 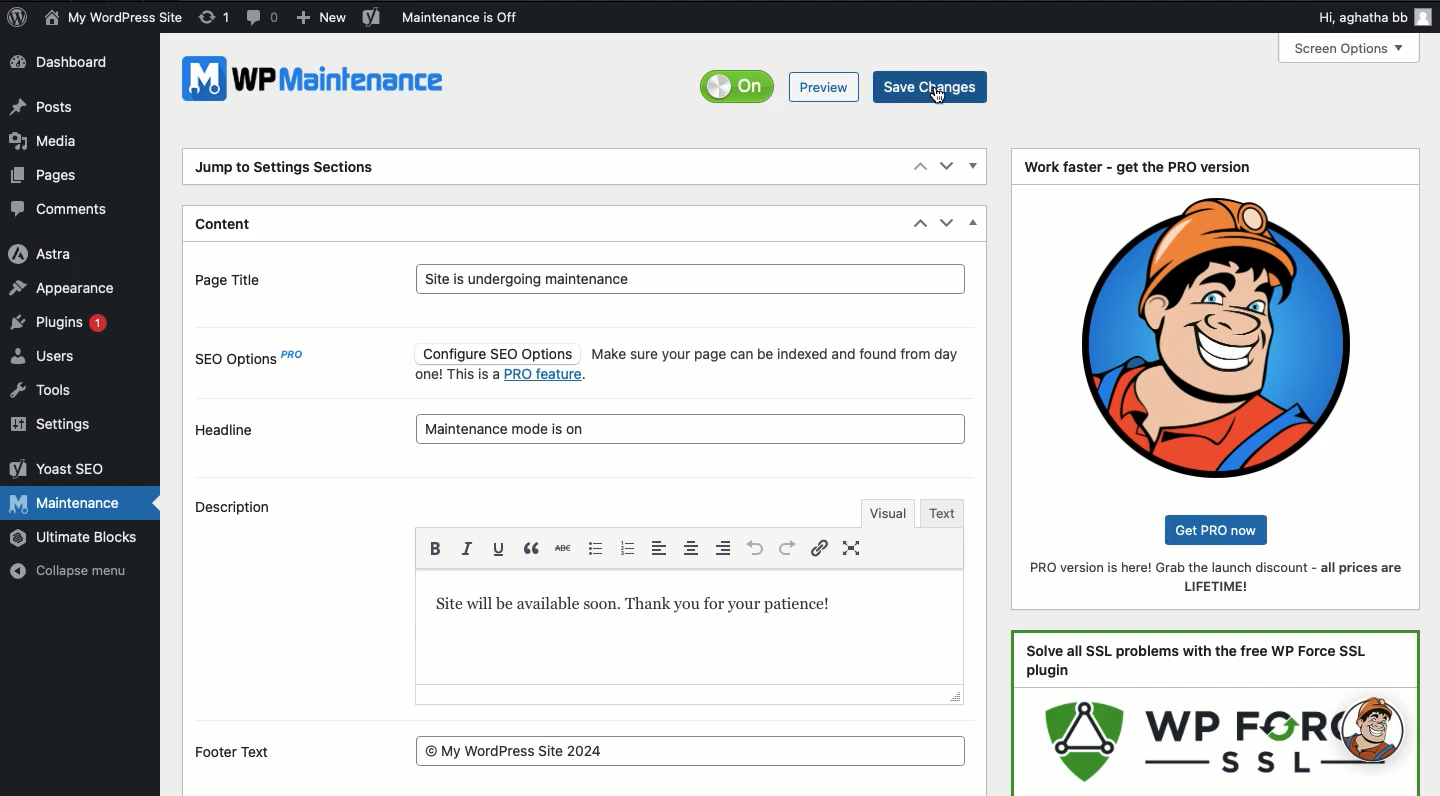 I want to click on Footer text, so click(x=246, y=753).